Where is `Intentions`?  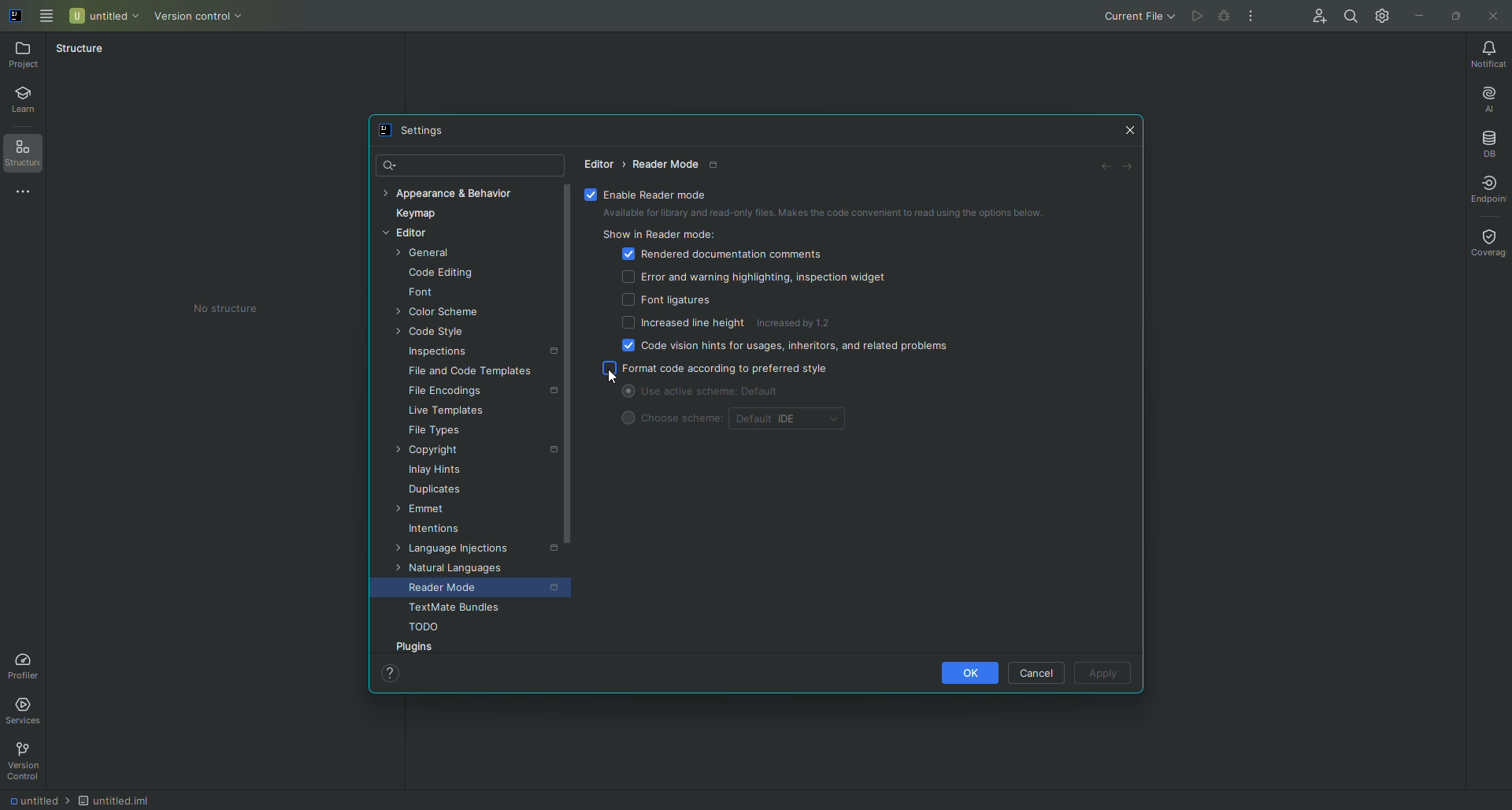
Intentions is located at coordinates (432, 529).